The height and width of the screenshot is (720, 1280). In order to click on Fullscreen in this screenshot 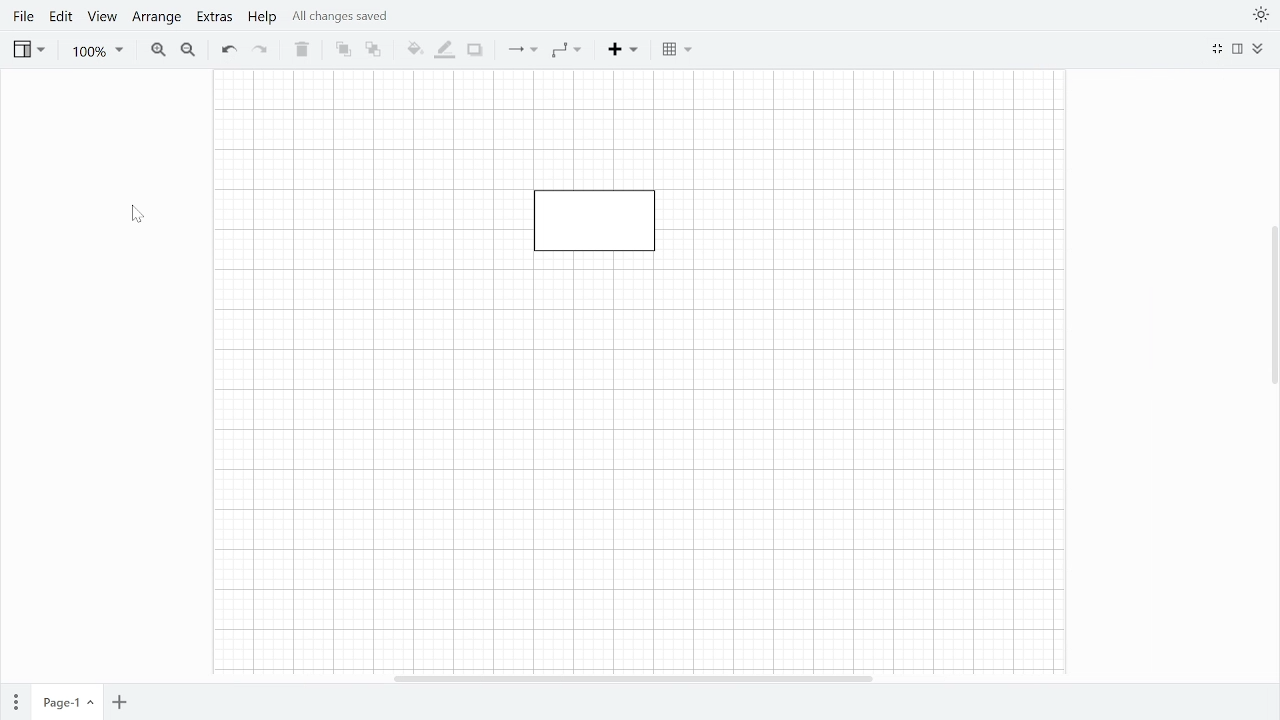, I will do `click(1219, 47)`.